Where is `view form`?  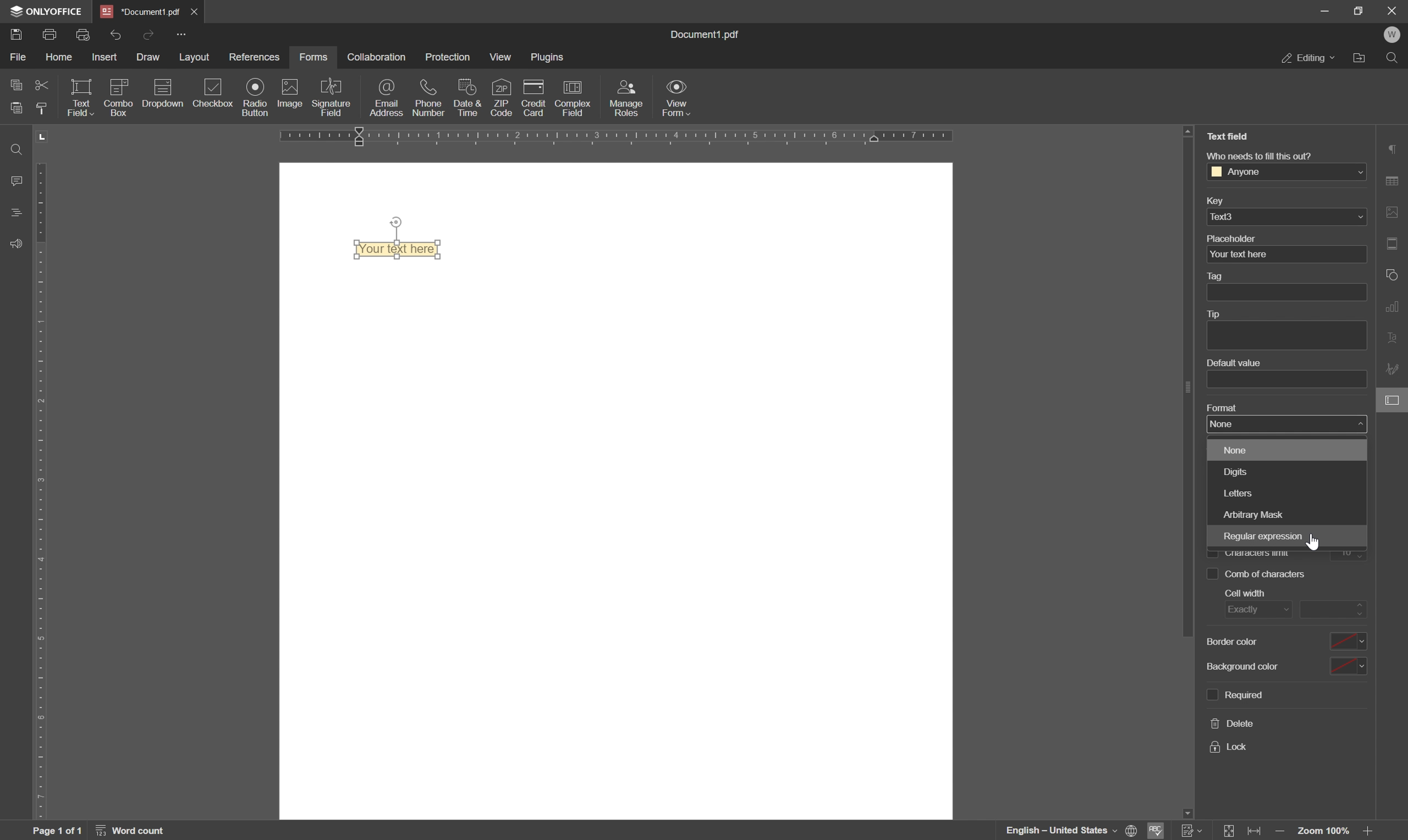
view form is located at coordinates (678, 100).